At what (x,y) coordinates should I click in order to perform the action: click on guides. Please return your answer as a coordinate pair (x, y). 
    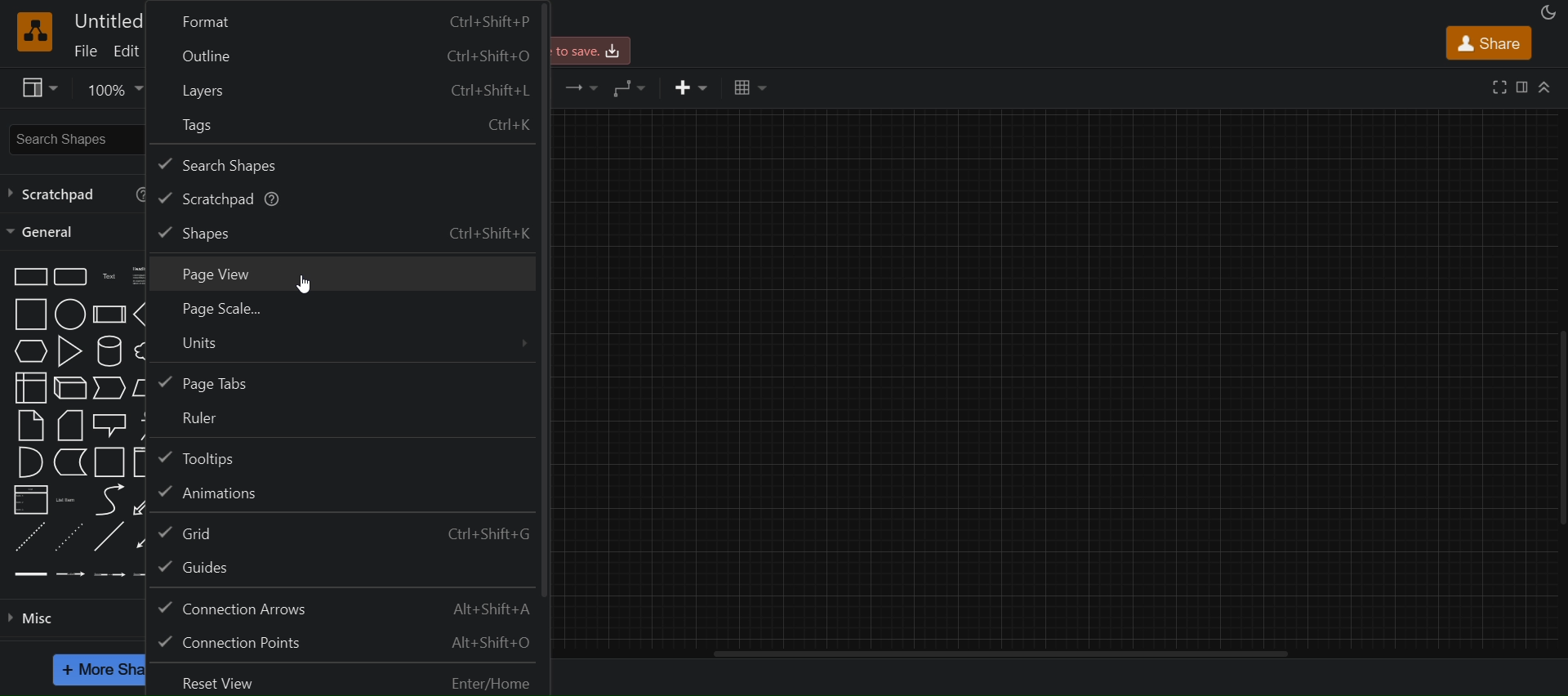
    Looking at the image, I should click on (346, 569).